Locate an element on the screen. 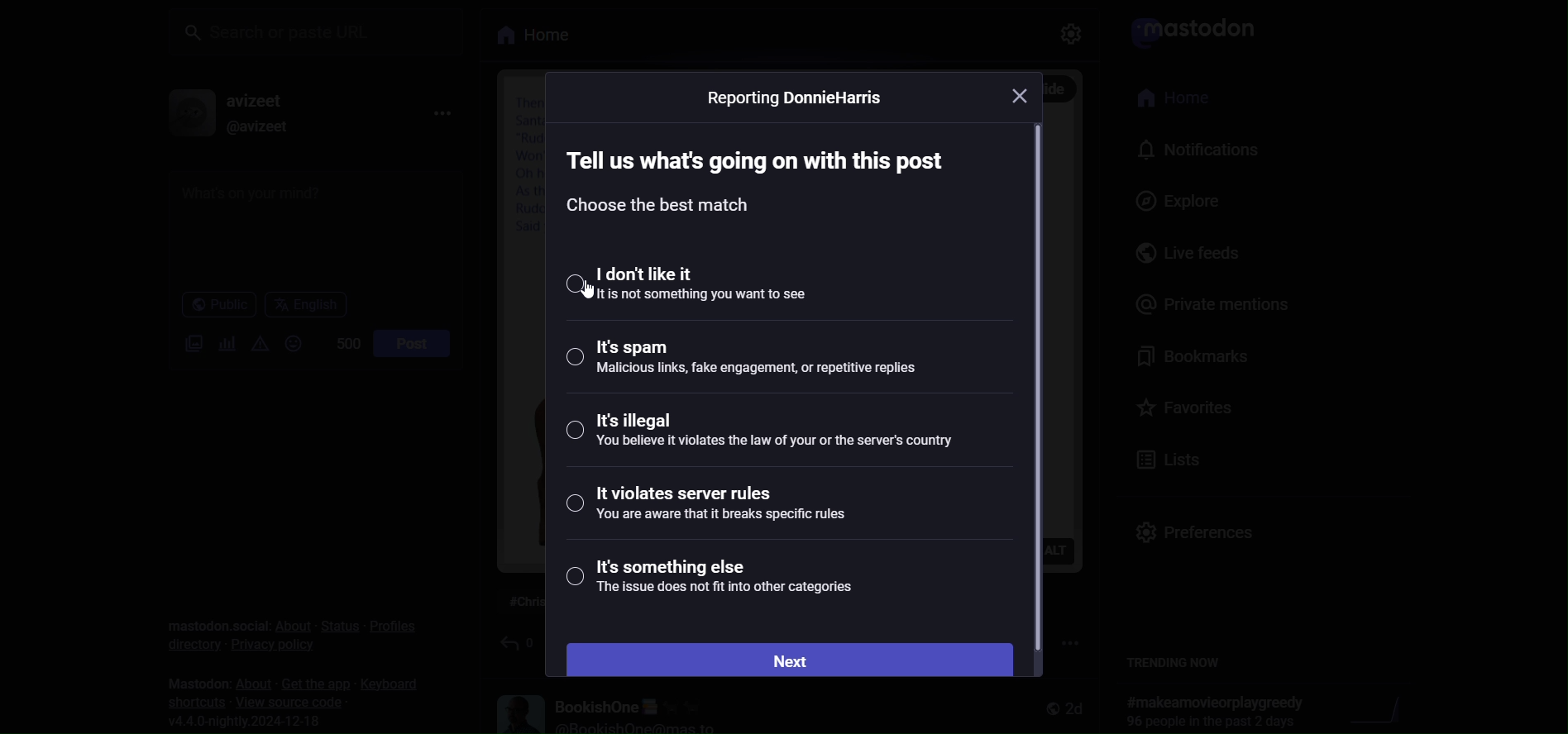 The width and height of the screenshot is (1568, 734). preferences is located at coordinates (1192, 526).